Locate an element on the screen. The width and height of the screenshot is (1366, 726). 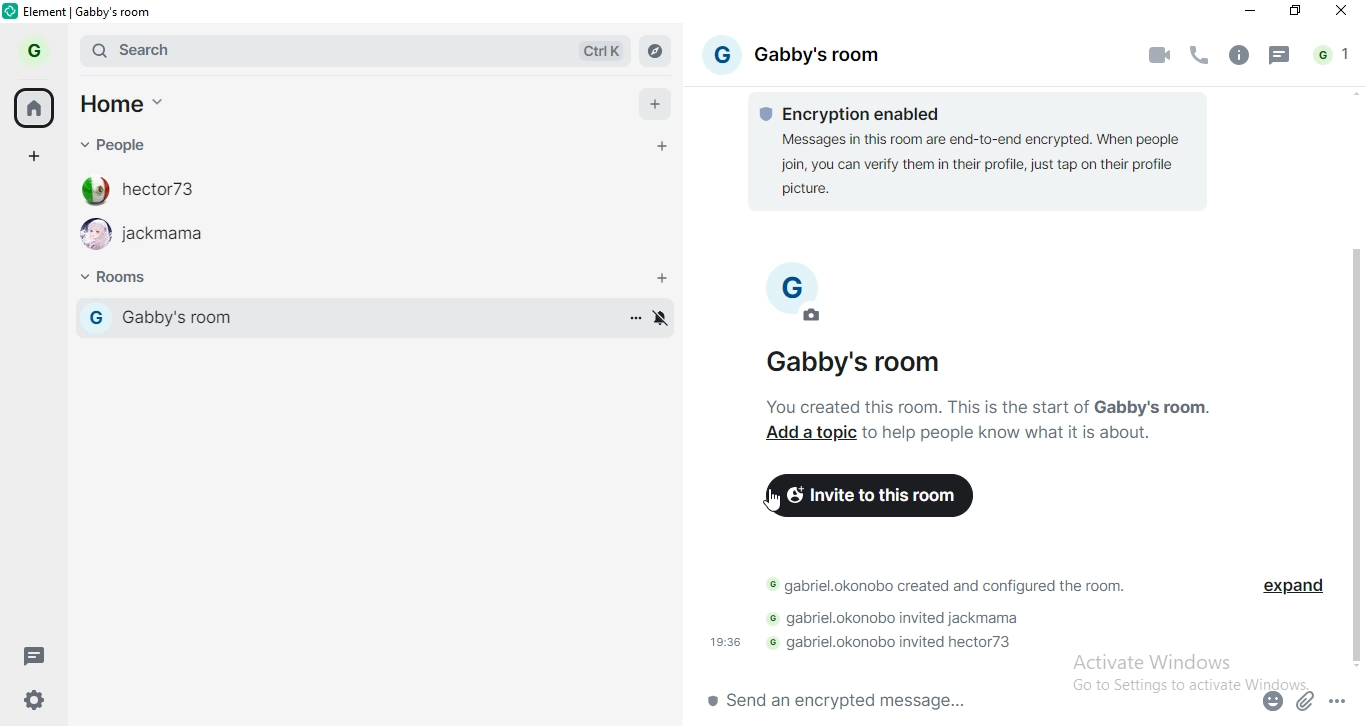
navigate is located at coordinates (658, 54).